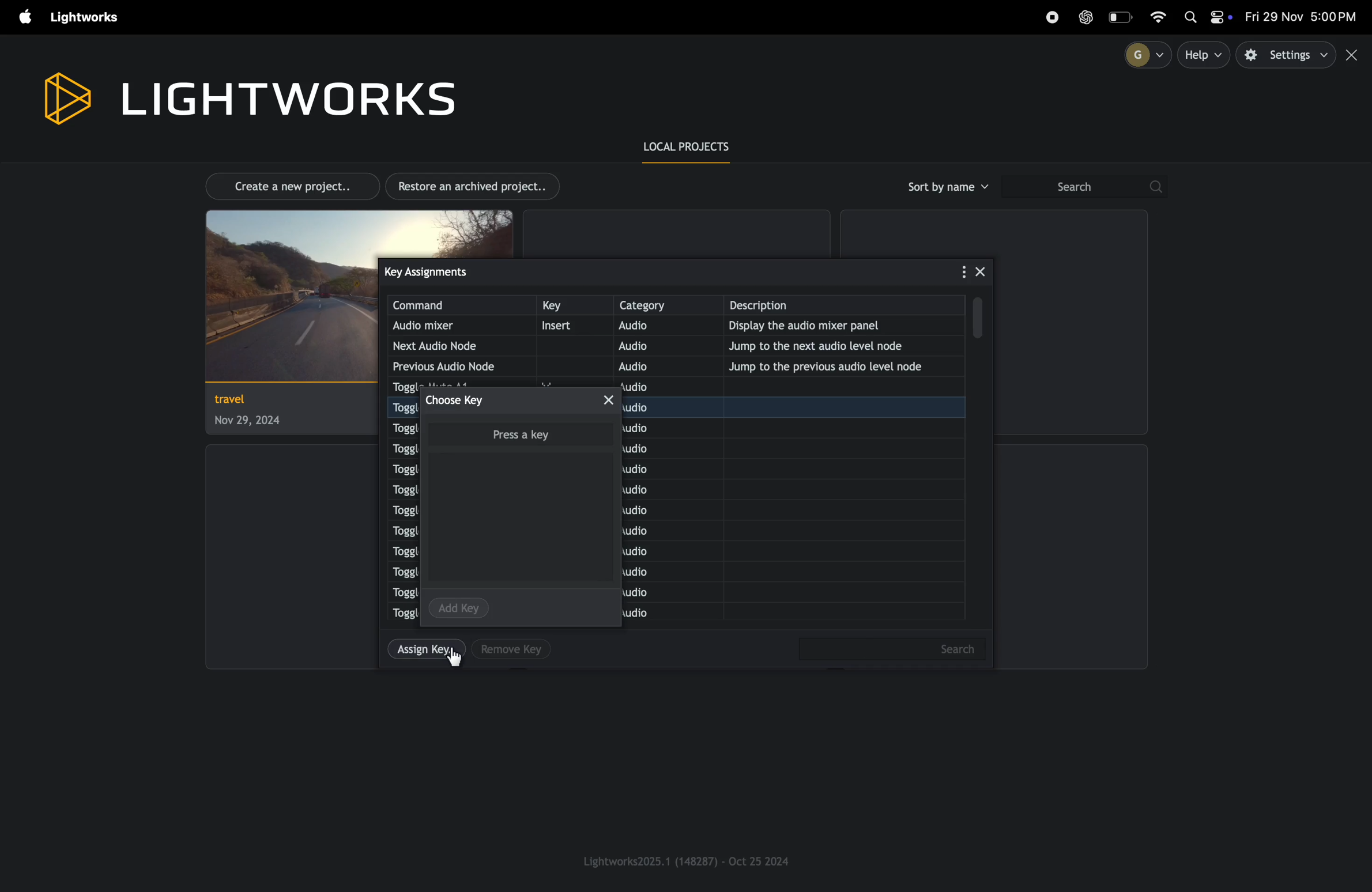  I want to click on press key, so click(518, 433).